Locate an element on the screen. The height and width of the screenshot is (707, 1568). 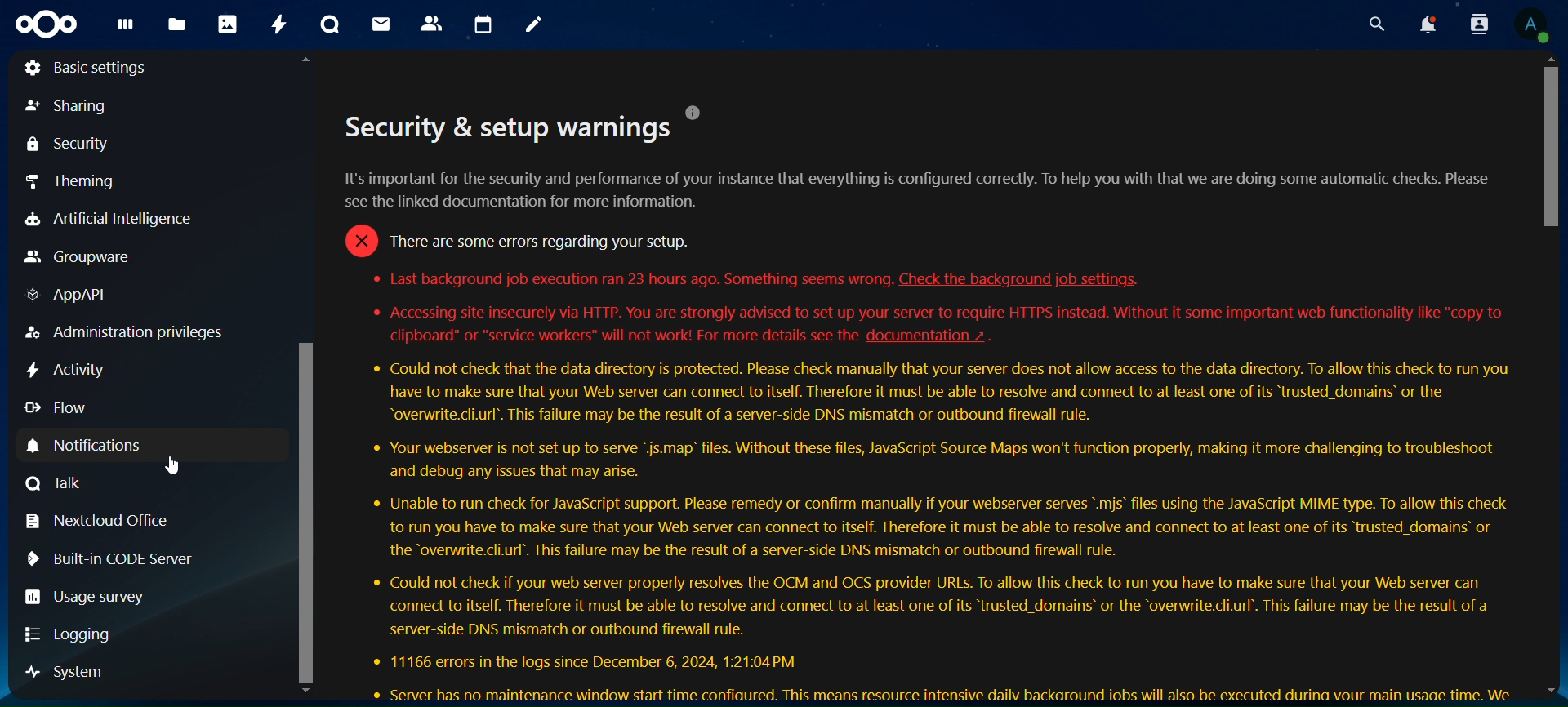
search is located at coordinates (1377, 25).